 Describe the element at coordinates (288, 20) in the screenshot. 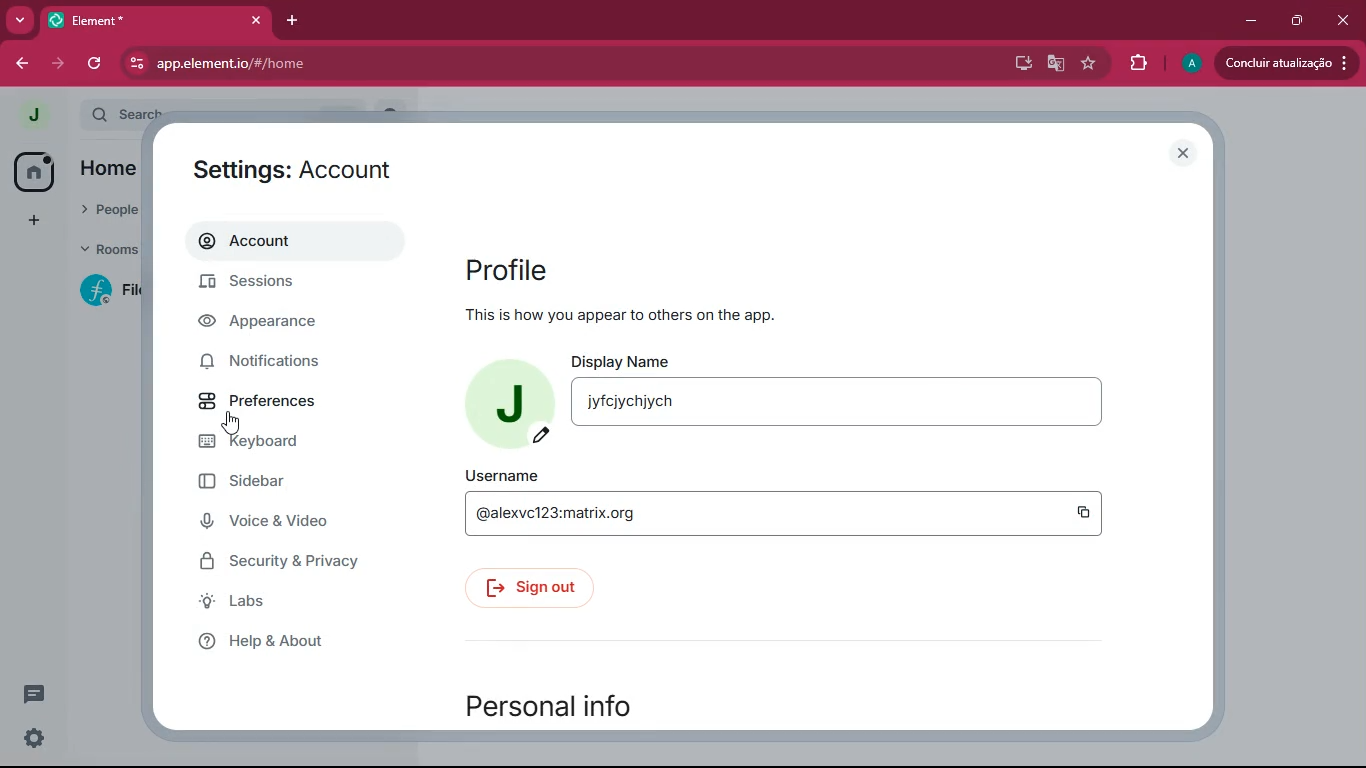

I see `add tab` at that location.